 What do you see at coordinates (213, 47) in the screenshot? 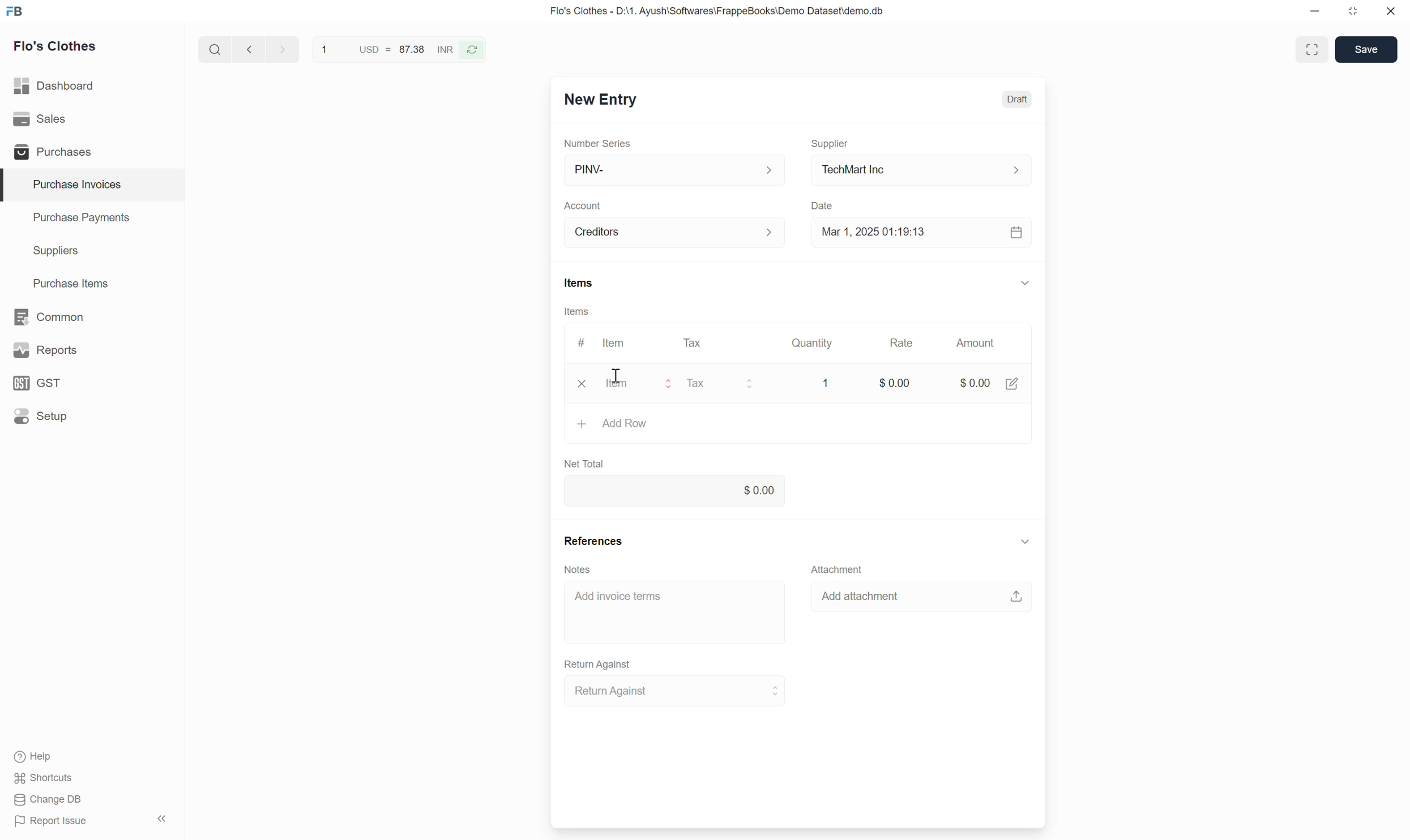
I see `search` at bounding box center [213, 47].